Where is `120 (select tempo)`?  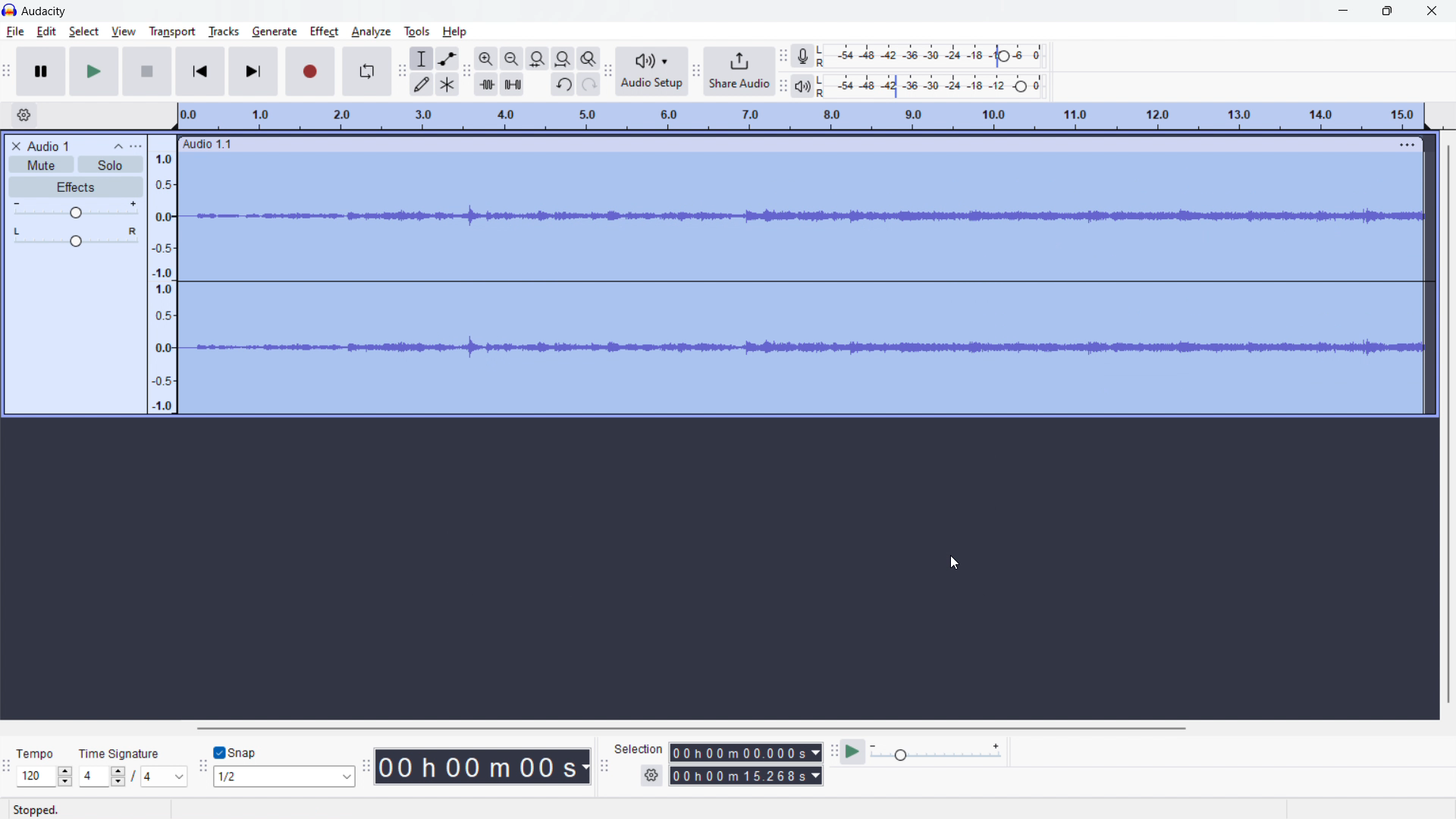
120 (select tempo) is located at coordinates (45, 777).